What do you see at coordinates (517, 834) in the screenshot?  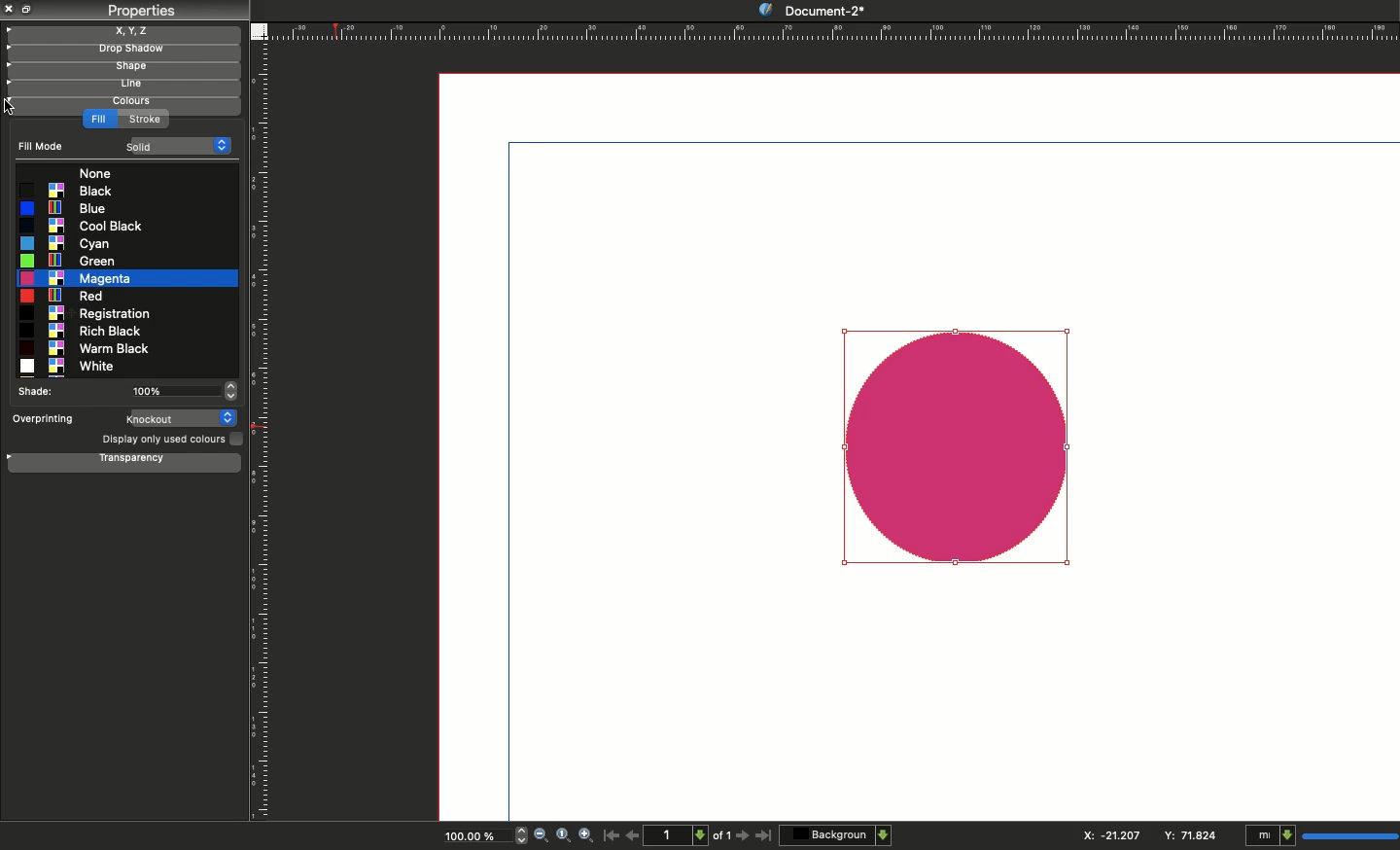 I see `zoom in and out` at bounding box center [517, 834].